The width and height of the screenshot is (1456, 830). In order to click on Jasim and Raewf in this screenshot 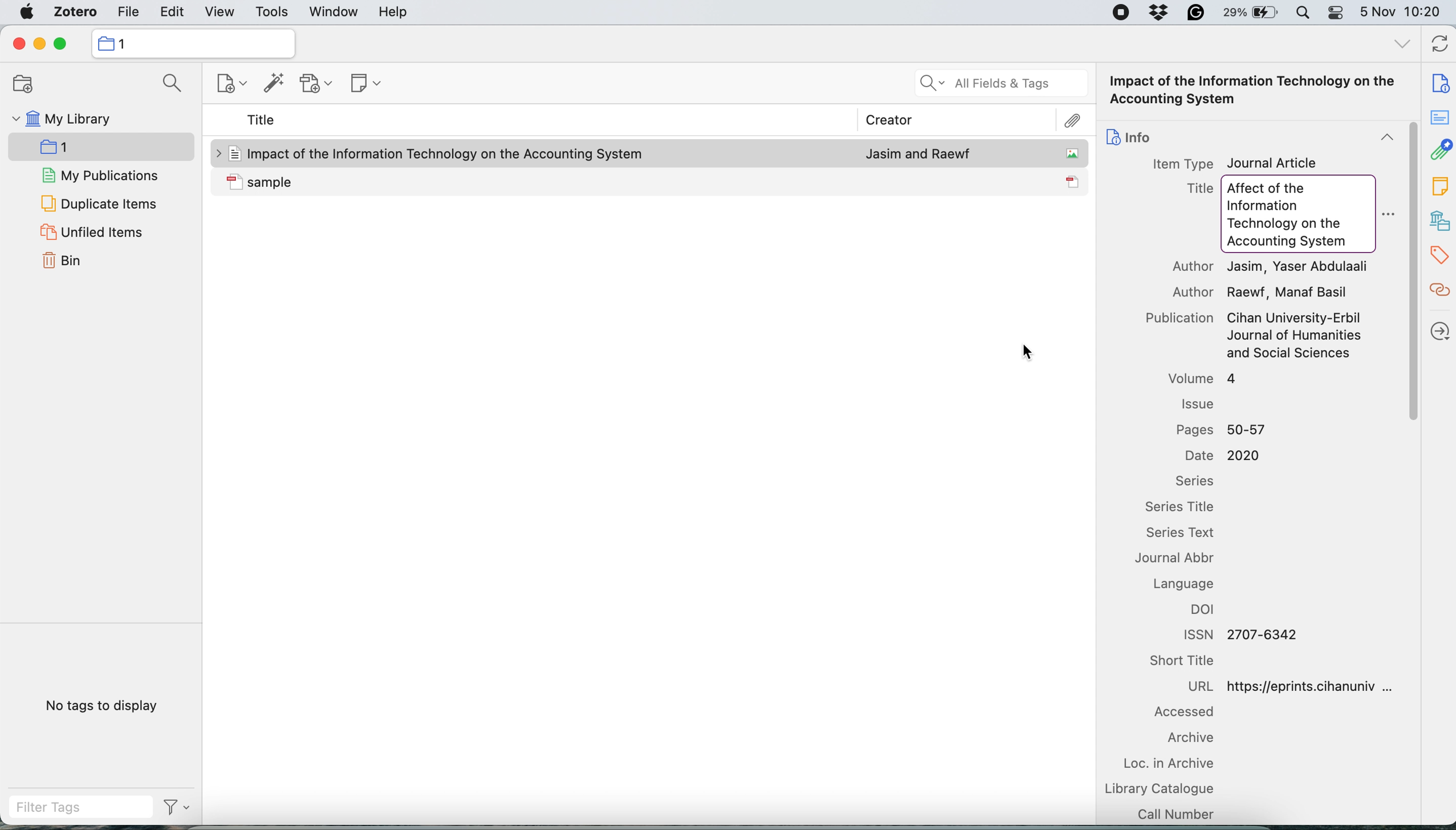, I will do `click(918, 152)`.